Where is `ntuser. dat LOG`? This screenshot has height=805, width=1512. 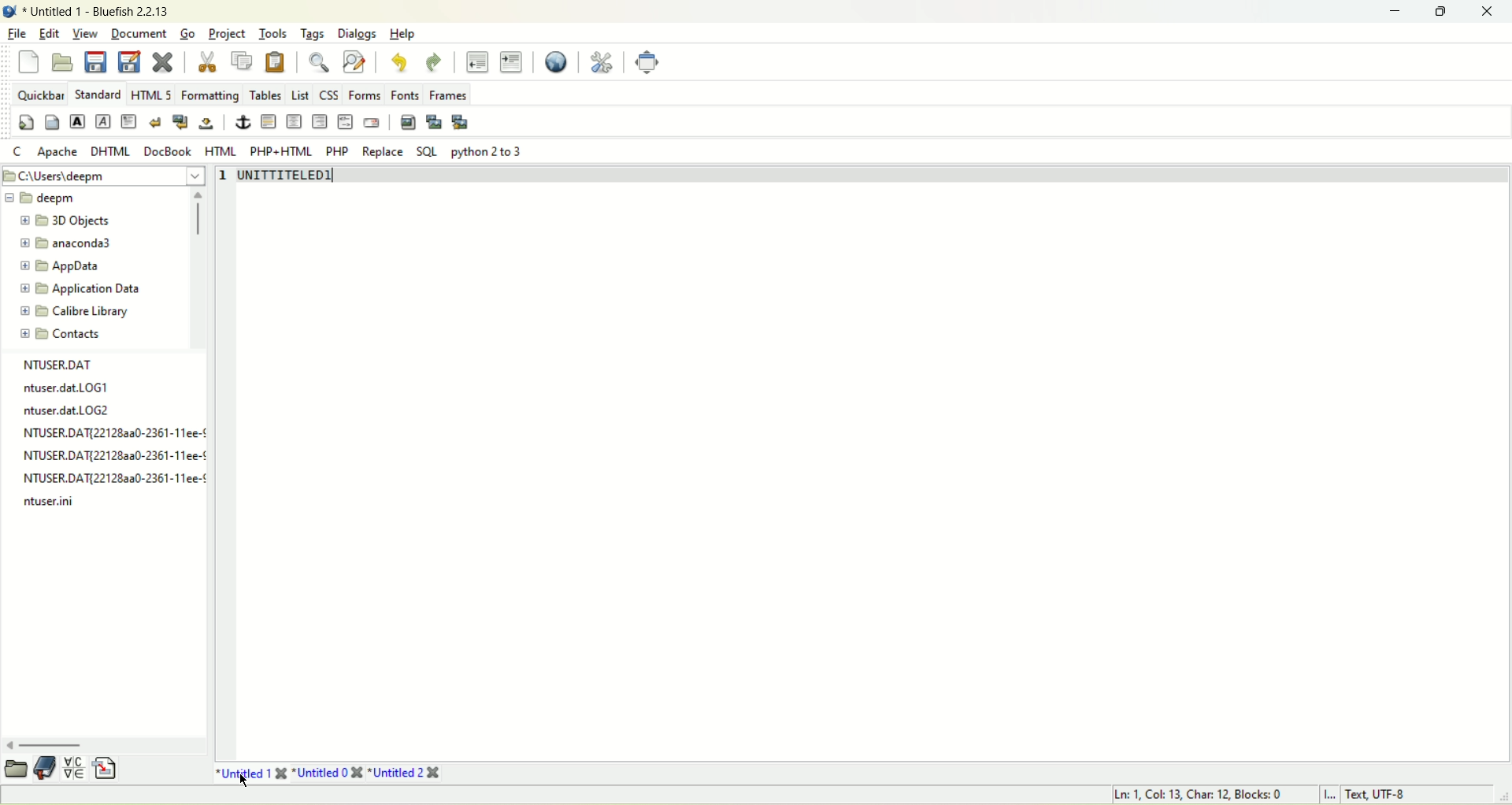
ntuser. dat LOG is located at coordinates (65, 388).